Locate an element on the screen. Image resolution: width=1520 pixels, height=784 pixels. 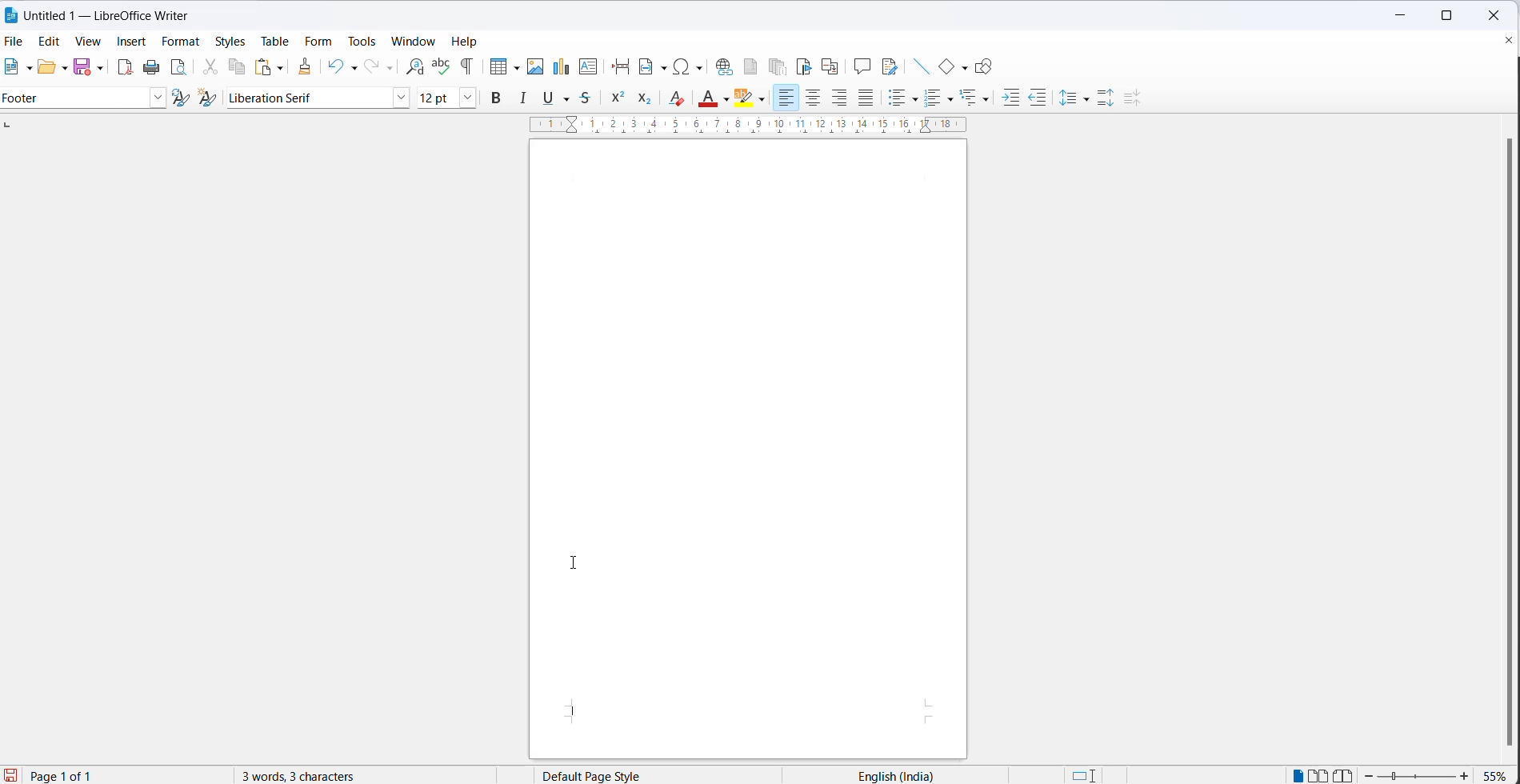
strike through is located at coordinates (569, 98).